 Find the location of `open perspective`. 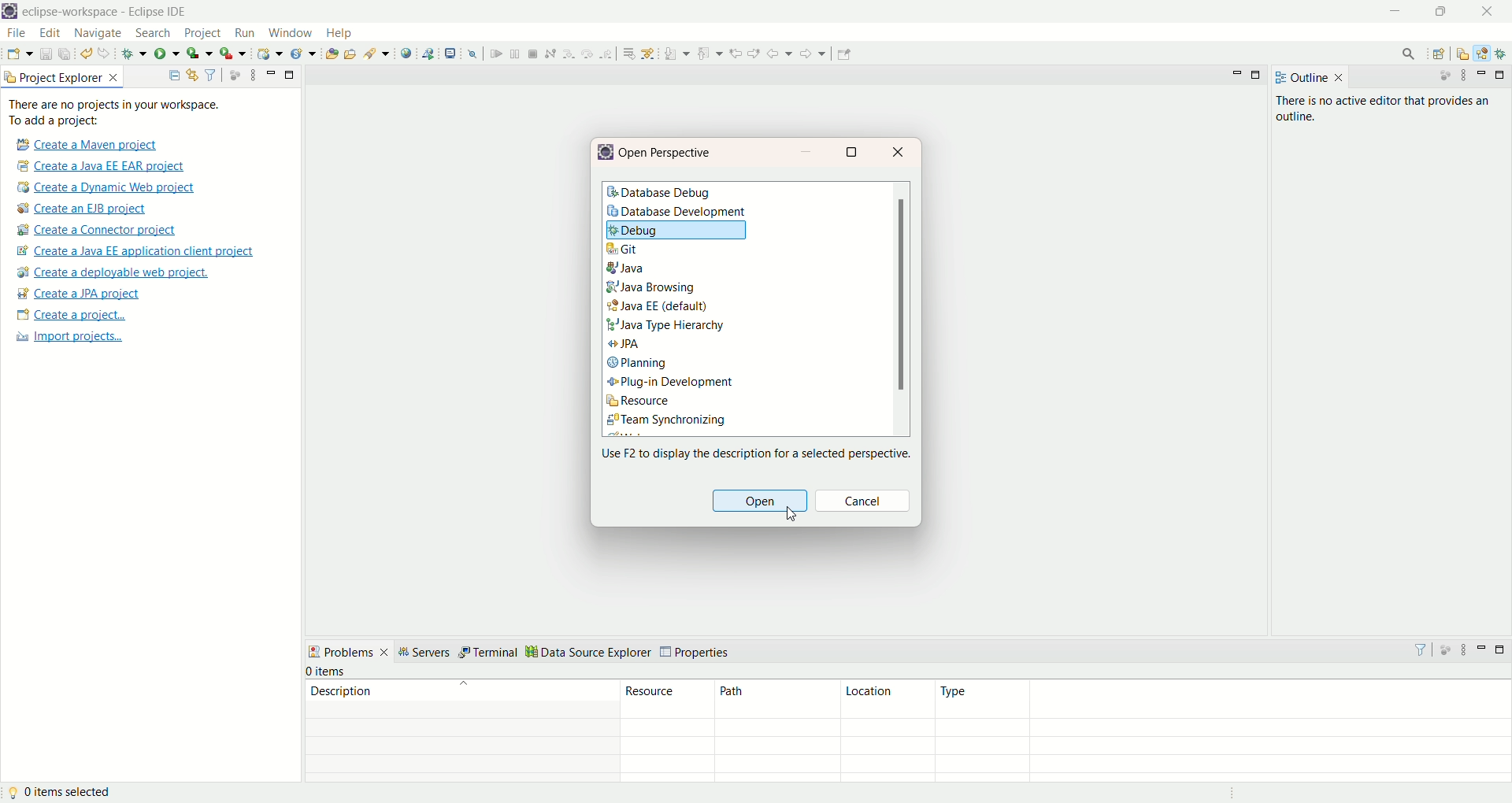

open perspective is located at coordinates (1439, 54).